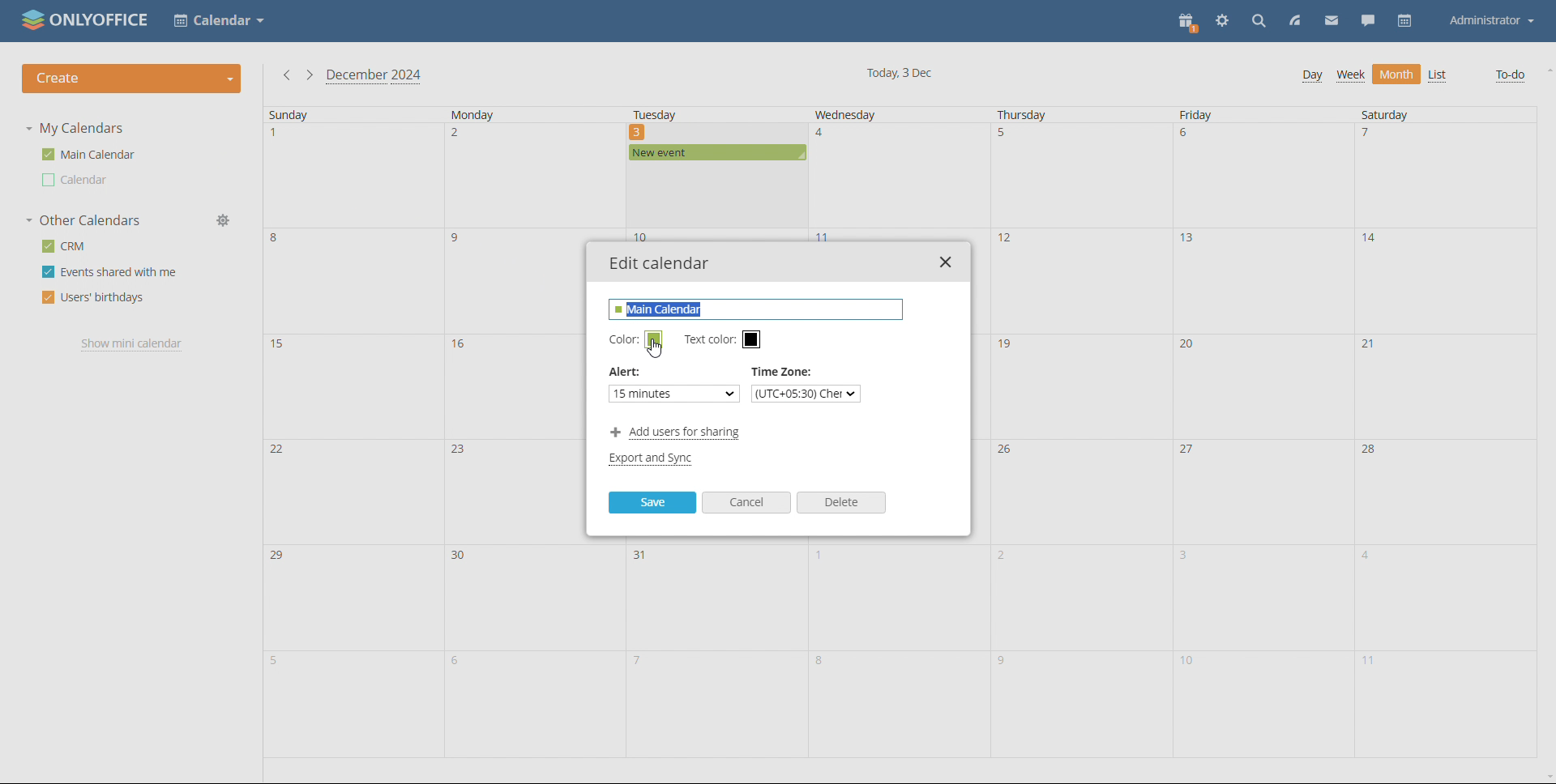 The height and width of the screenshot is (784, 1556). I want to click on monday, so click(519, 114).